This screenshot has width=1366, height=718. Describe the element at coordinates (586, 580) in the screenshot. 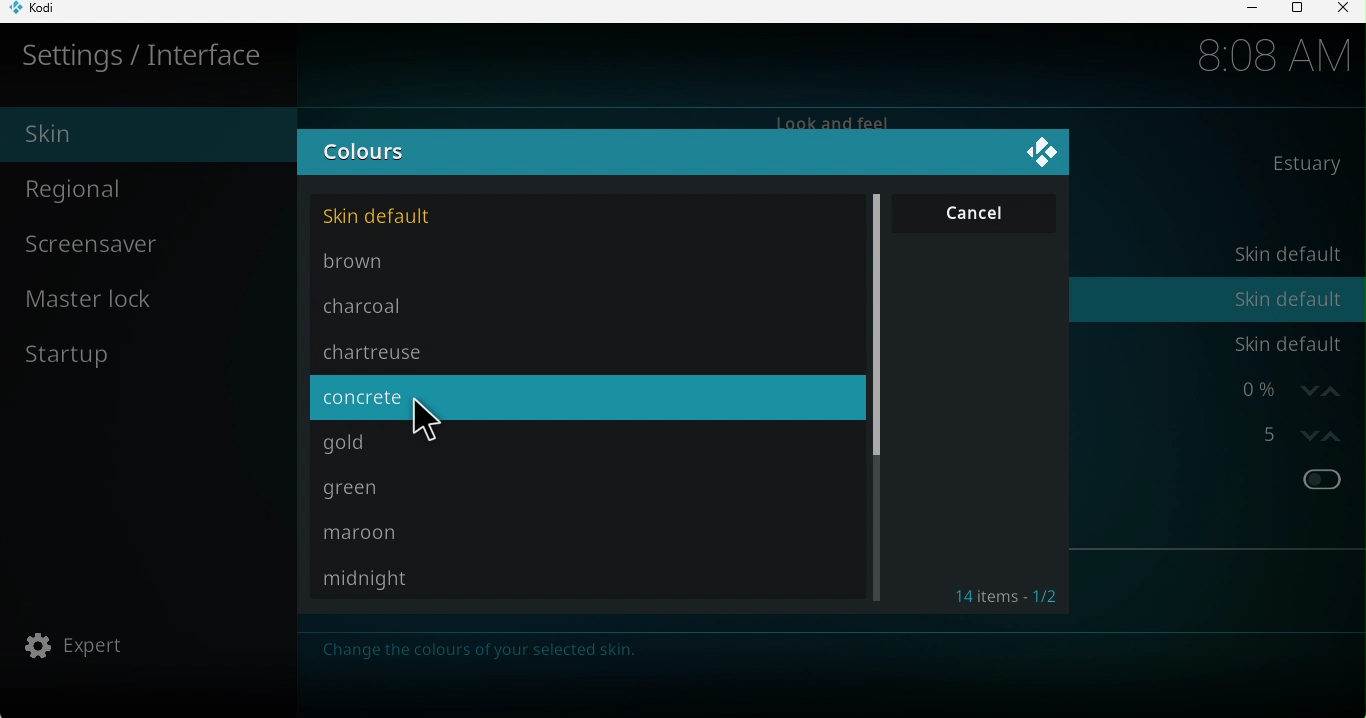

I see `Midnight` at that location.